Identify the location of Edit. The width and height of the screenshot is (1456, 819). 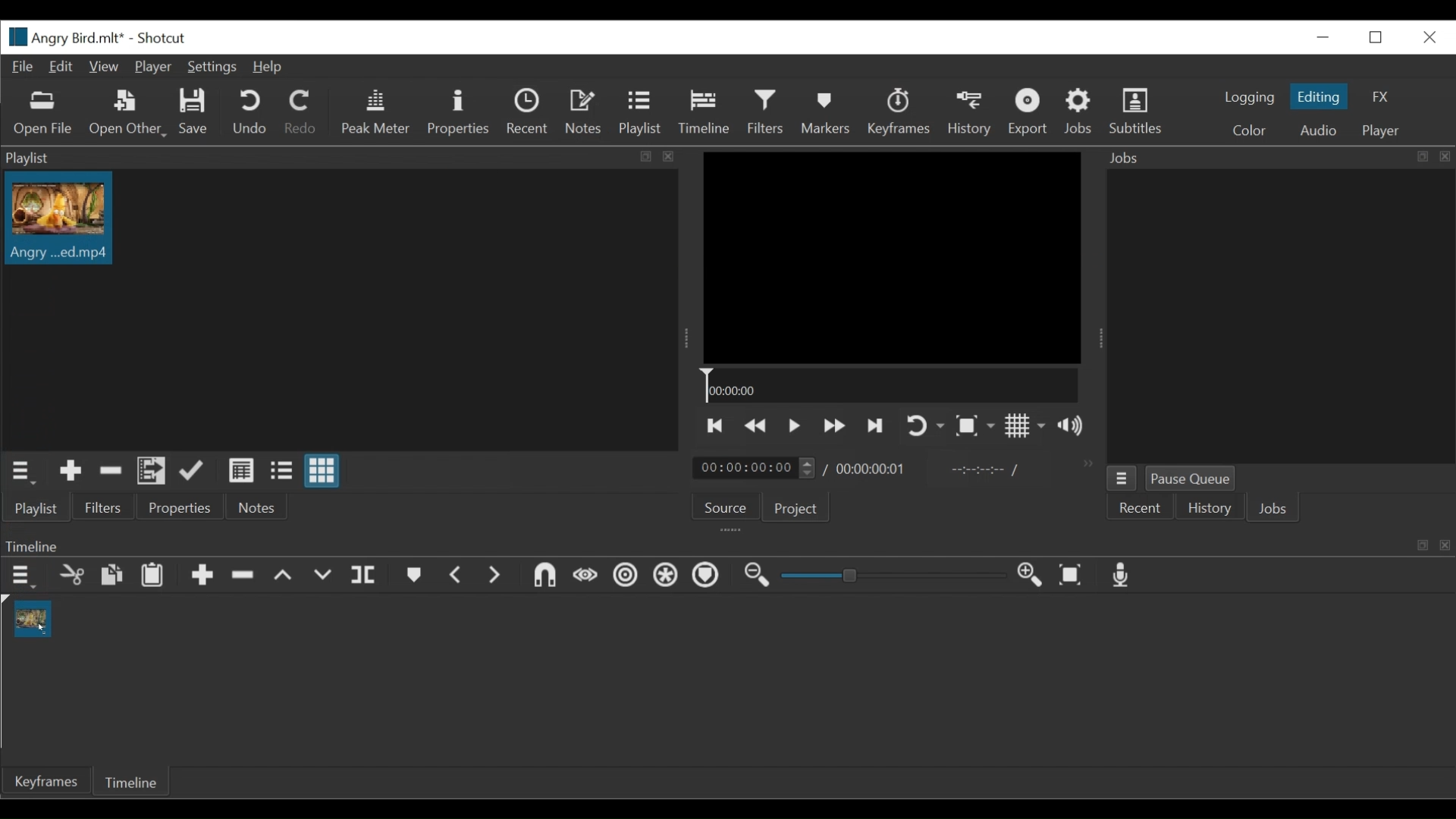
(58, 67).